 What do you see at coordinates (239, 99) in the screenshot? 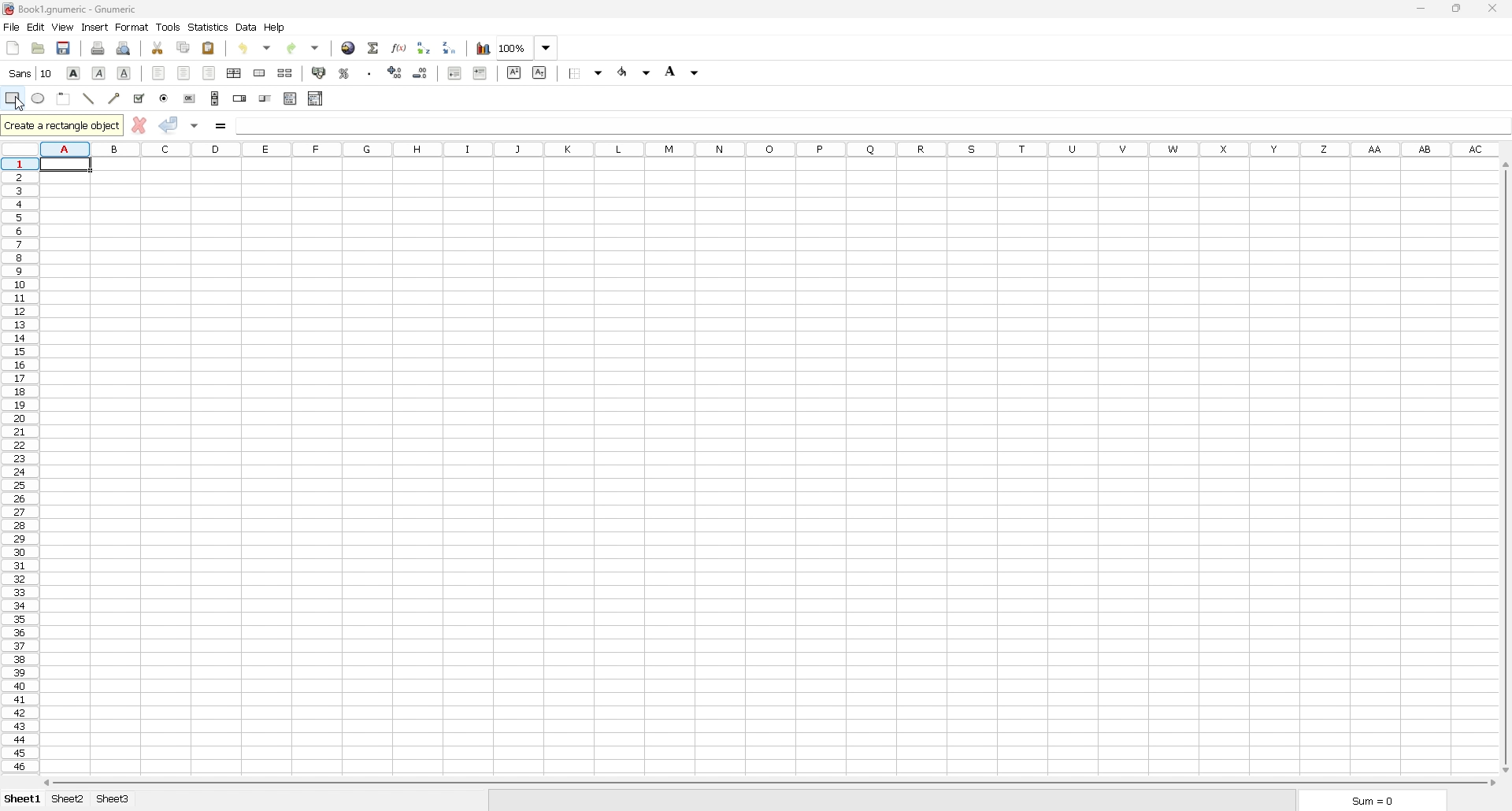
I see `spin button` at bounding box center [239, 99].